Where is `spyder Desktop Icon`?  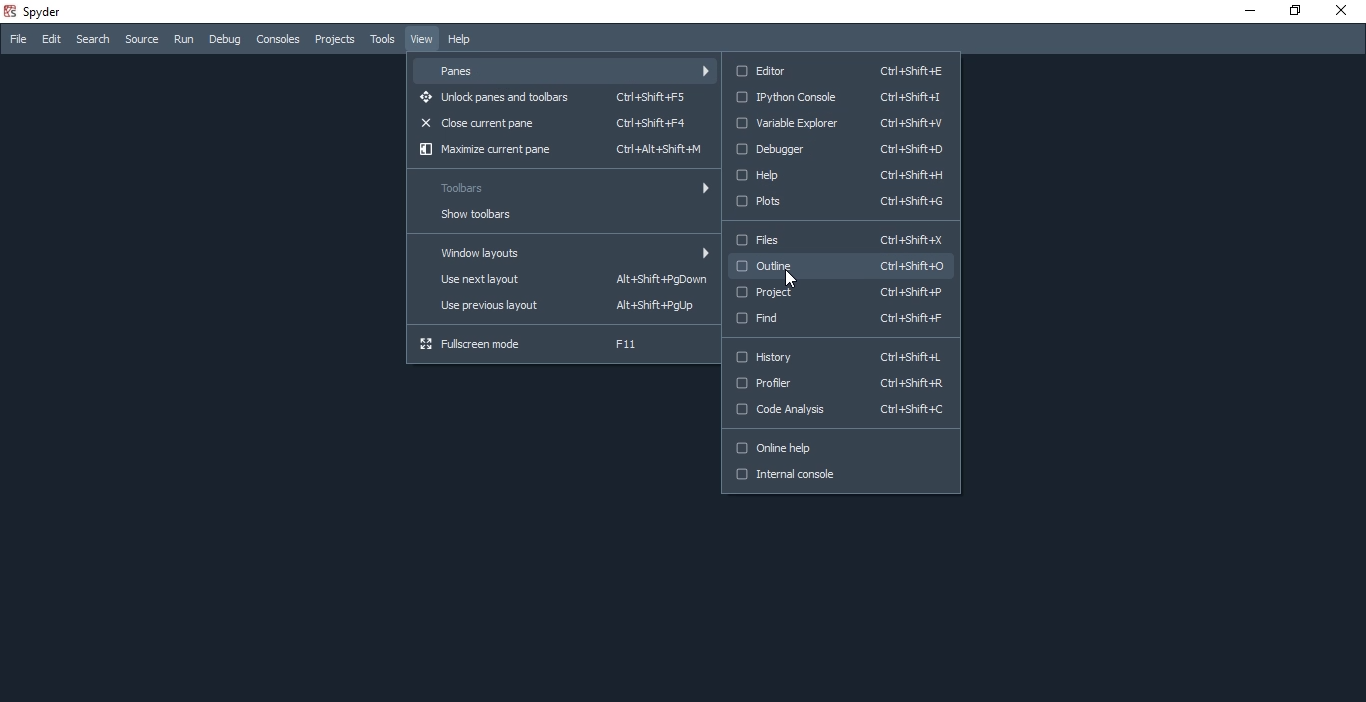
spyder Desktop Icon is located at coordinates (36, 10).